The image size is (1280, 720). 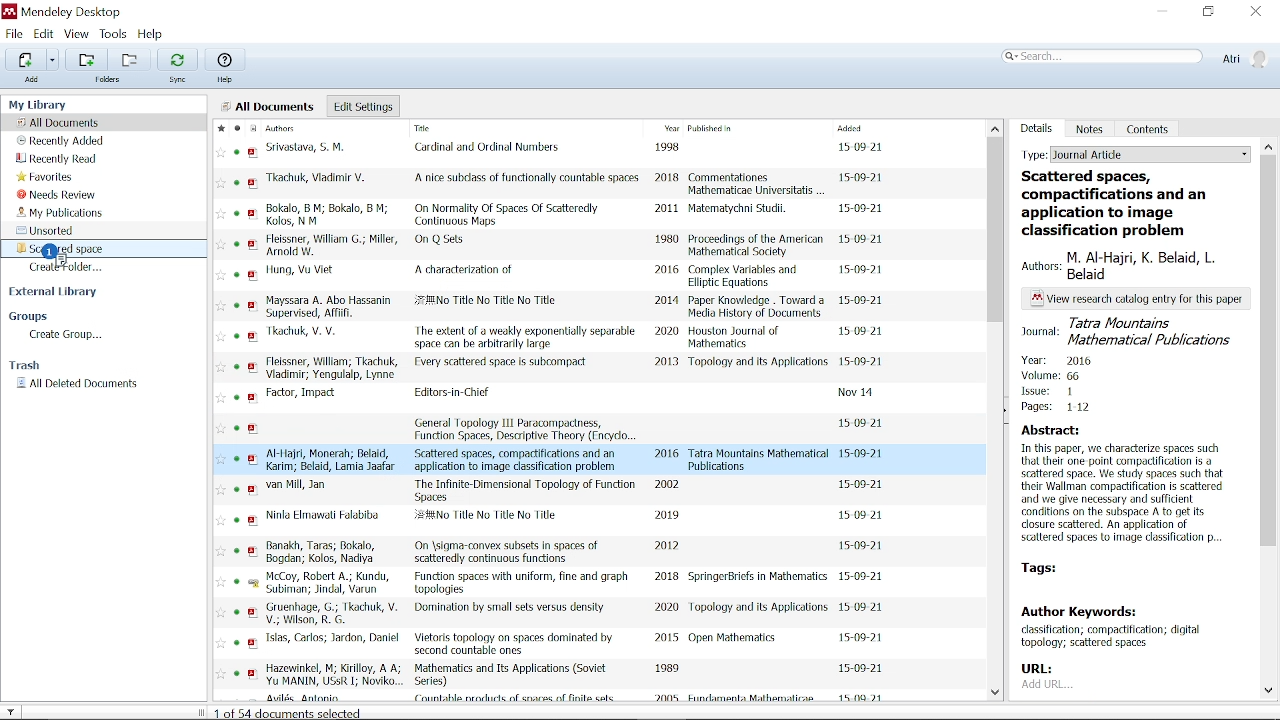 What do you see at coordinates (863, 576) in the screenshot?
I see `date` at bounding box center [863, 576].